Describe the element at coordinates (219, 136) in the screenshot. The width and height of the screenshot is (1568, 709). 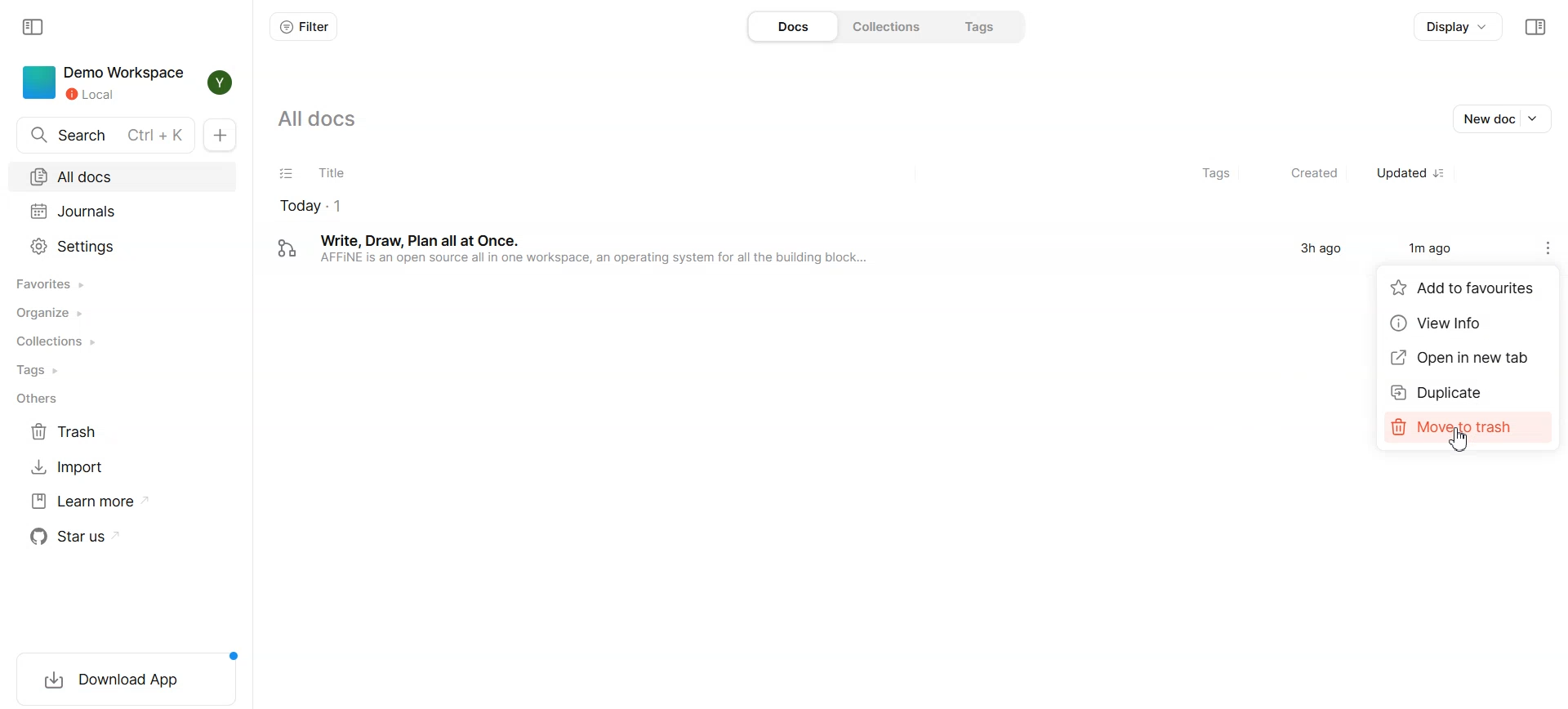
I see `New Doc` at that location.